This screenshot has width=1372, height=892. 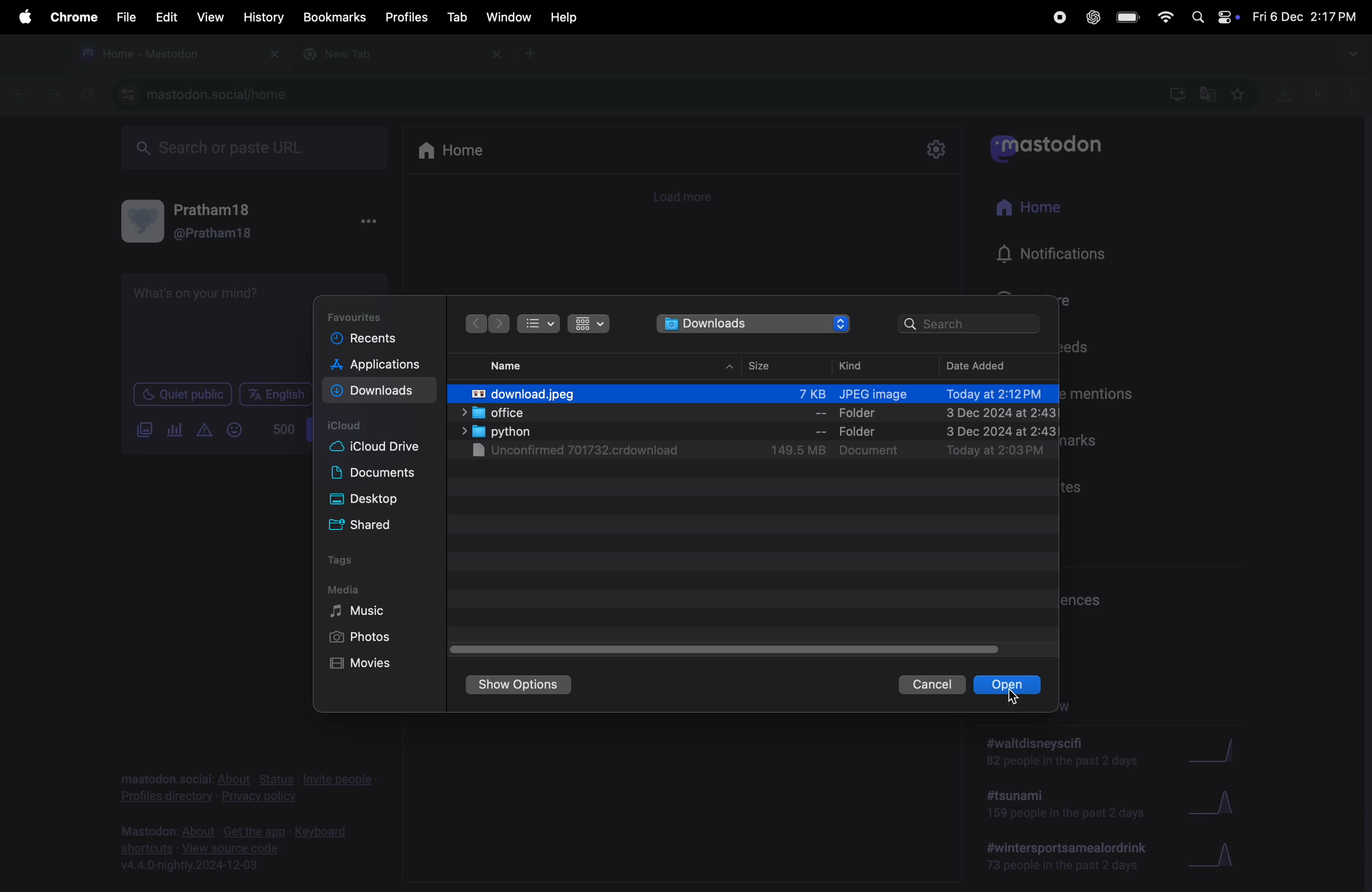 What do you see at coordinates (1356, 97) in the screenshot?
I see `options` at bounding box center [1356, 97].